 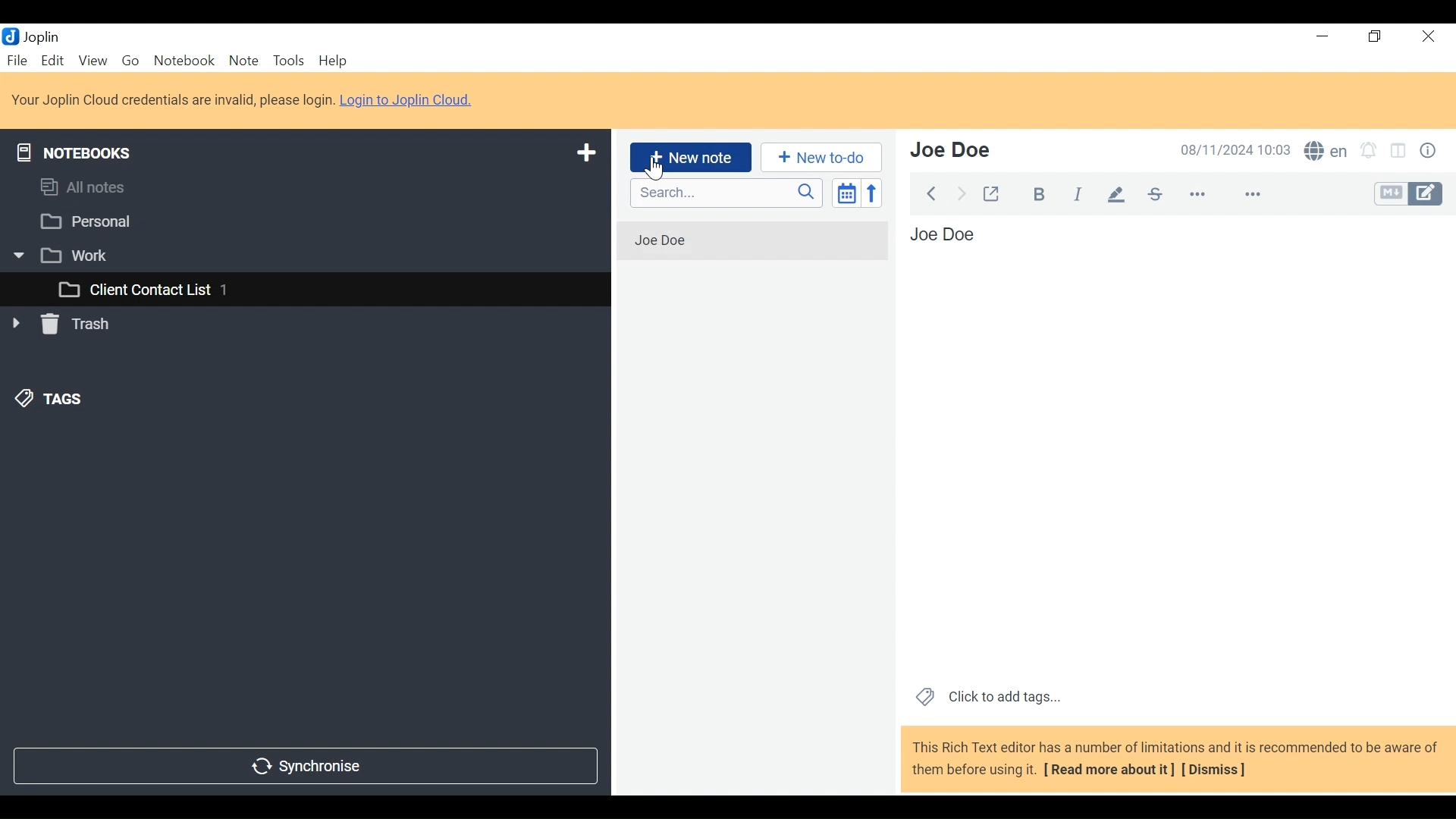 I want to click on Add a New to do, so click(x=821, y=157).